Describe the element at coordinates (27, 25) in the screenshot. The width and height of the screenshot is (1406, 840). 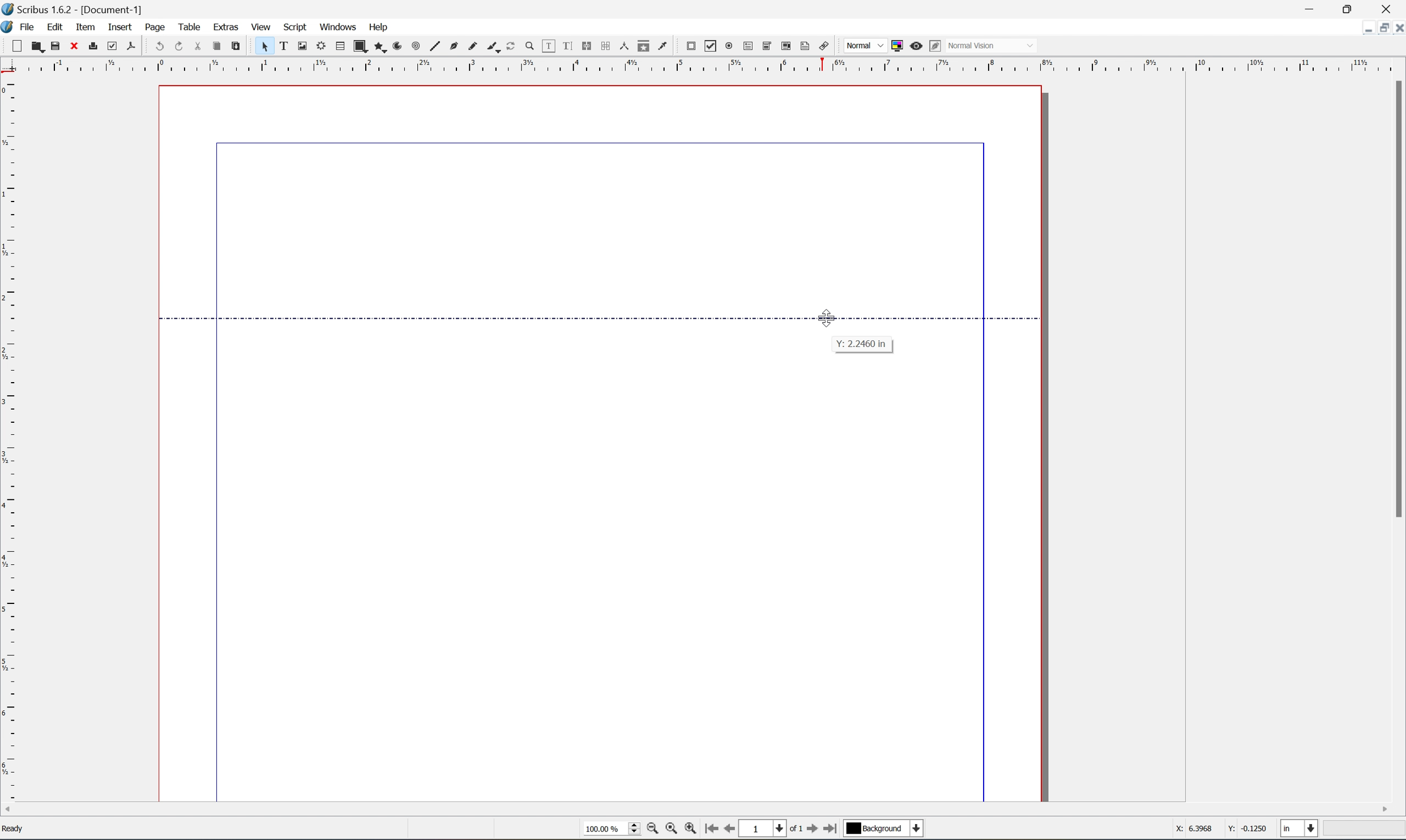
I see `file` at that location.